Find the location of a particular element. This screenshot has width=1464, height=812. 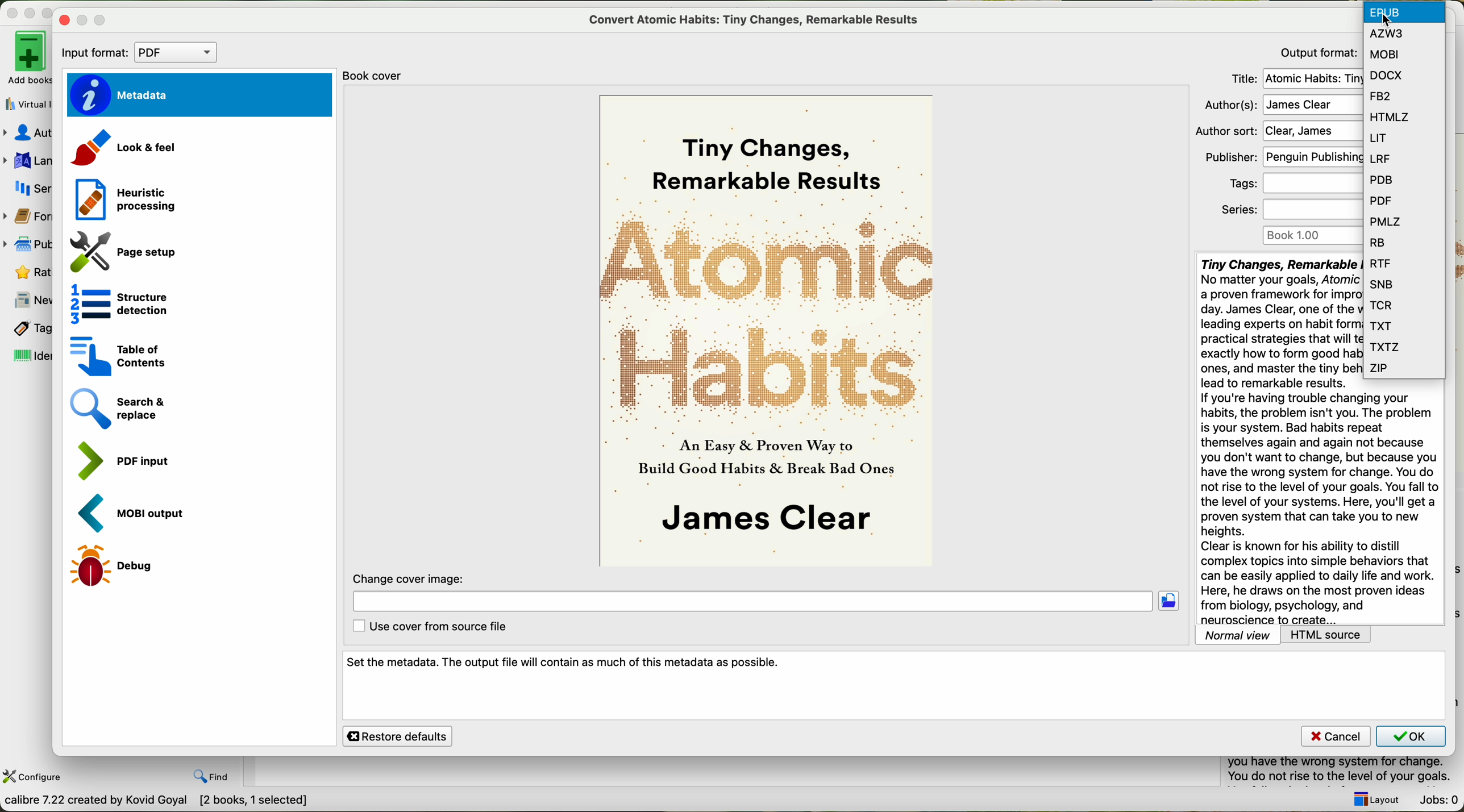

minimize is located at coordinates (30, 11).